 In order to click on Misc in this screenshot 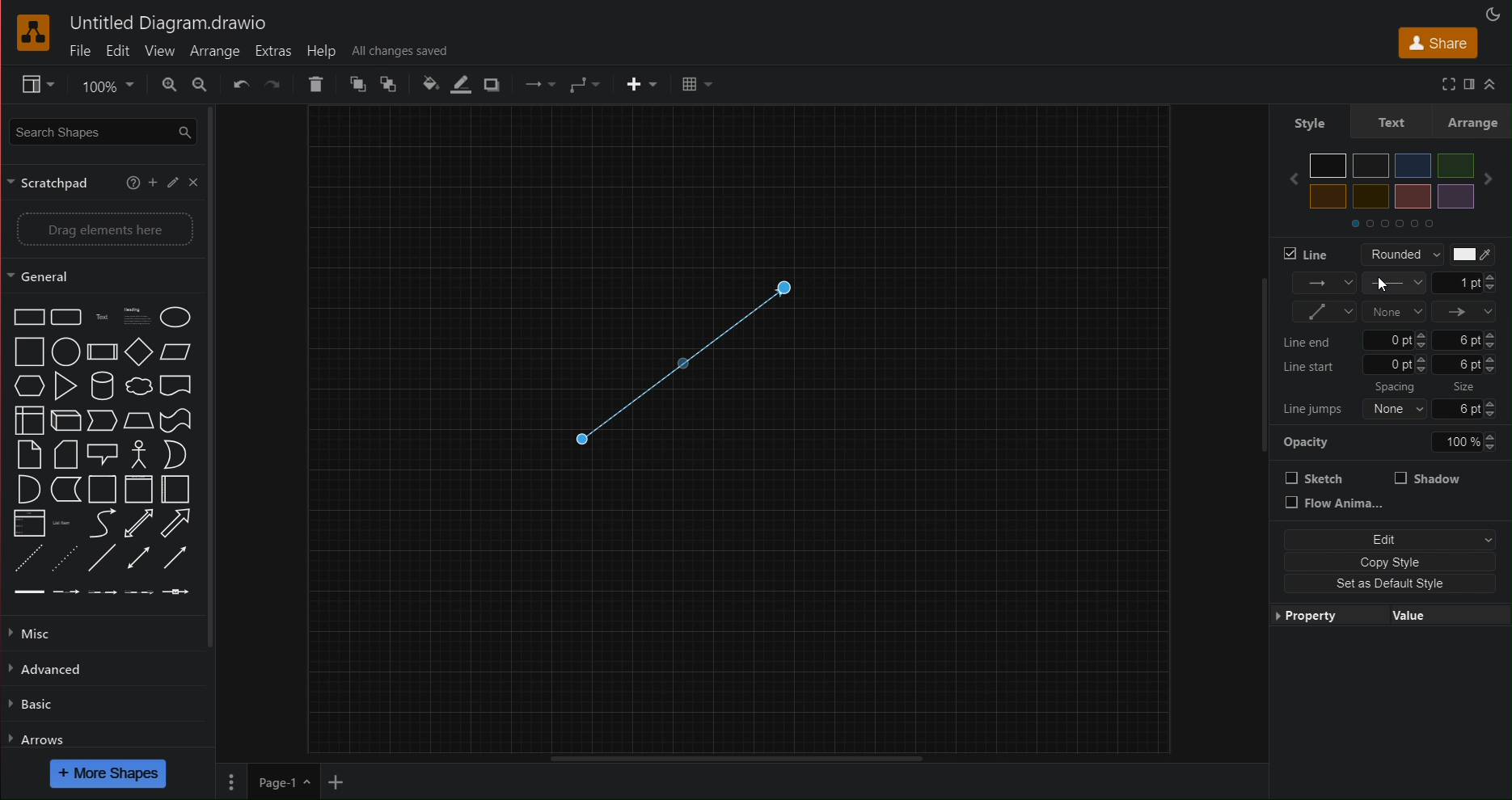, I will do `click(37, 633)`.